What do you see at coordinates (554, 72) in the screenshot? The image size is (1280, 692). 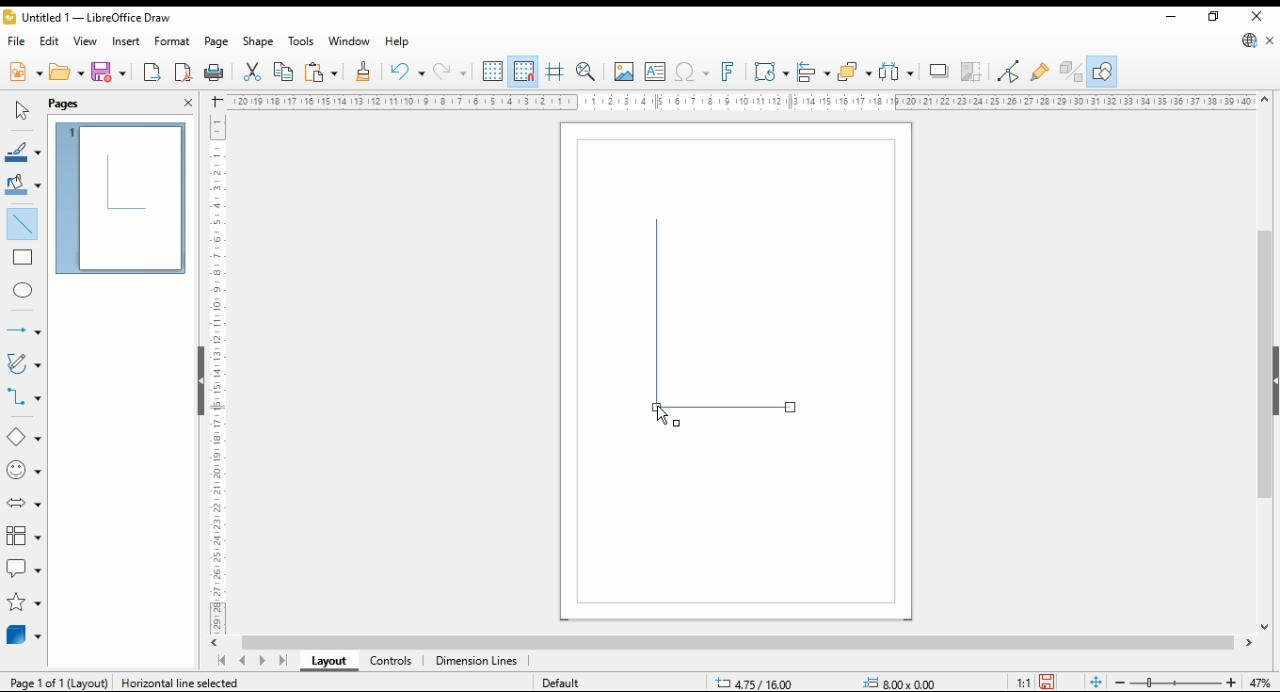 I see `helplines while moving` at bounding box center [554, 72].